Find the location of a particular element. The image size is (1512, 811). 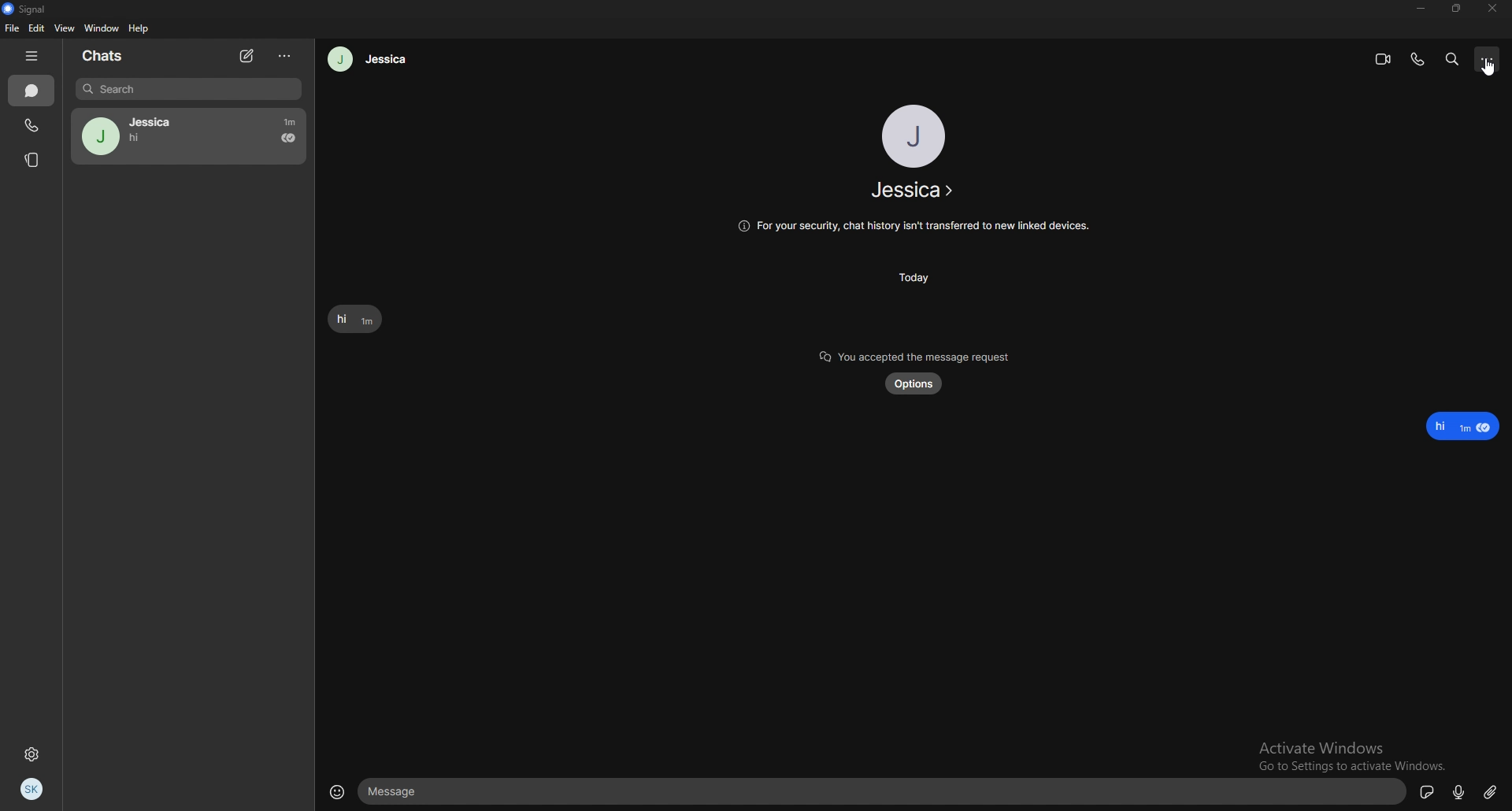

Hi is located at coordinates (354, 320).